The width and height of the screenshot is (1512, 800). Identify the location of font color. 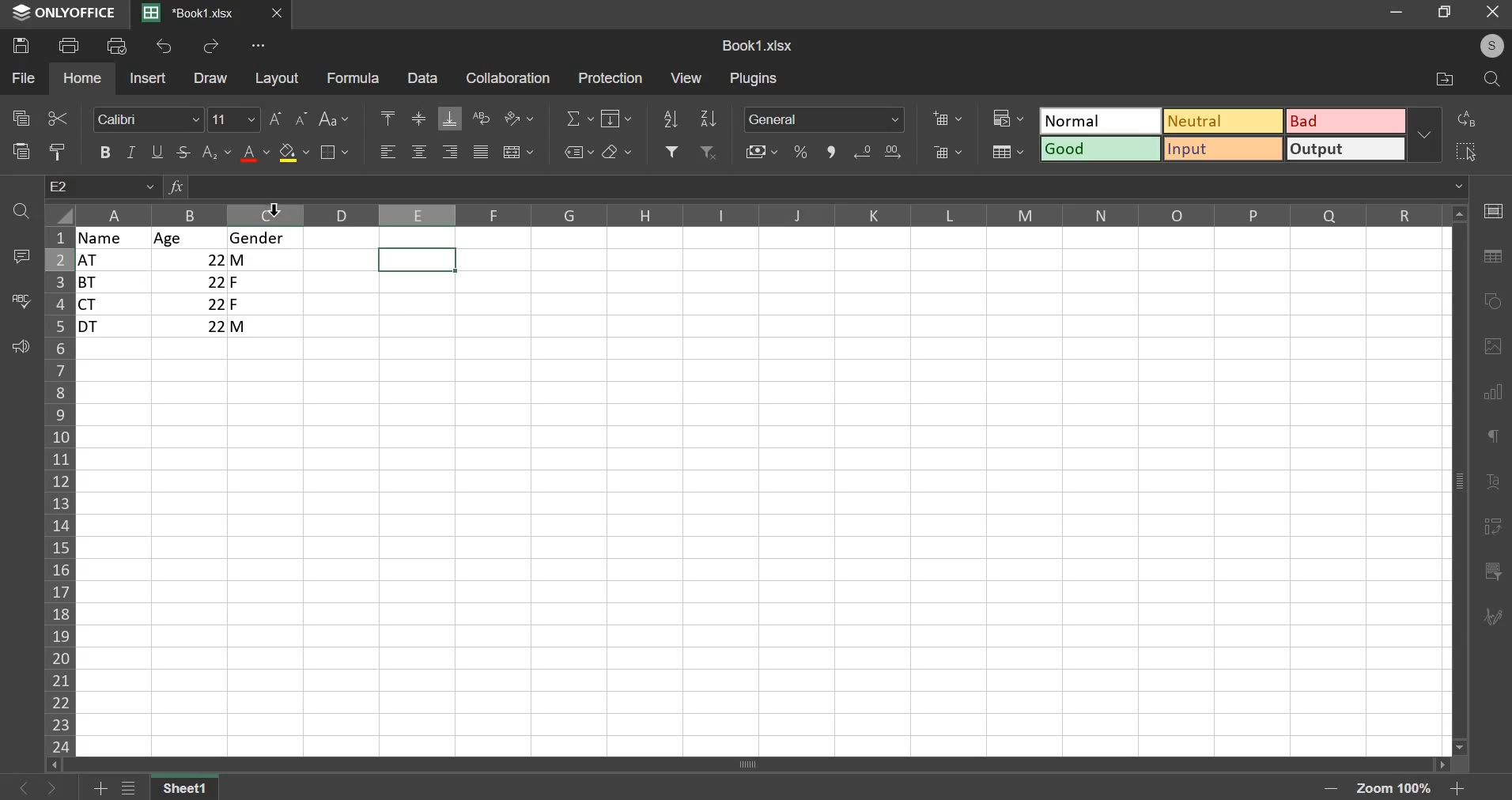
(255, 153).